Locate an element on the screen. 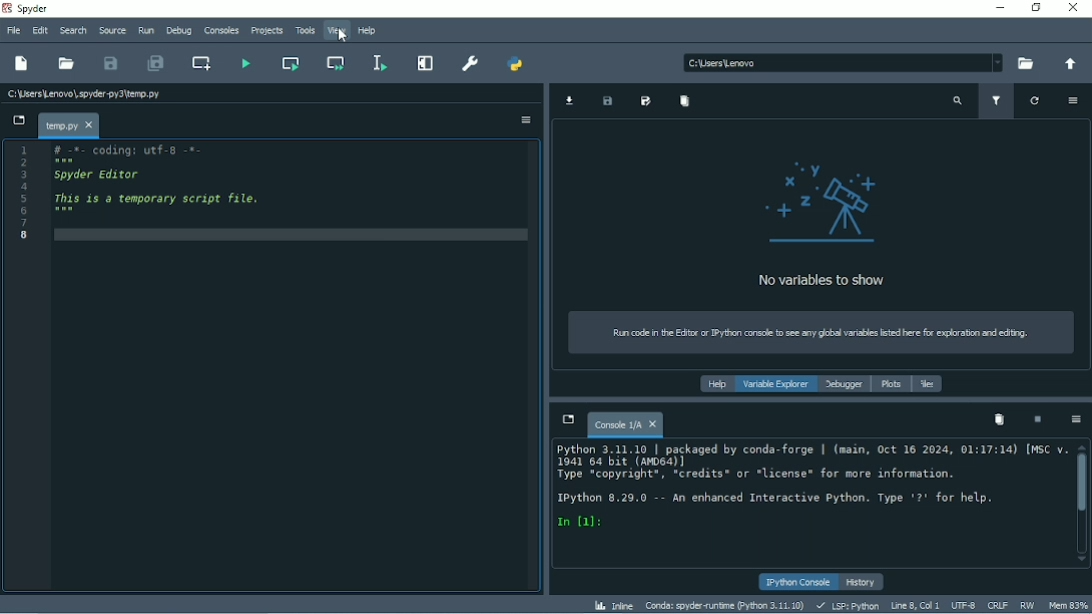 Image resolution: width=1092 pixels, height=614 pixels. Save file     is located at coordinates (111, 63).